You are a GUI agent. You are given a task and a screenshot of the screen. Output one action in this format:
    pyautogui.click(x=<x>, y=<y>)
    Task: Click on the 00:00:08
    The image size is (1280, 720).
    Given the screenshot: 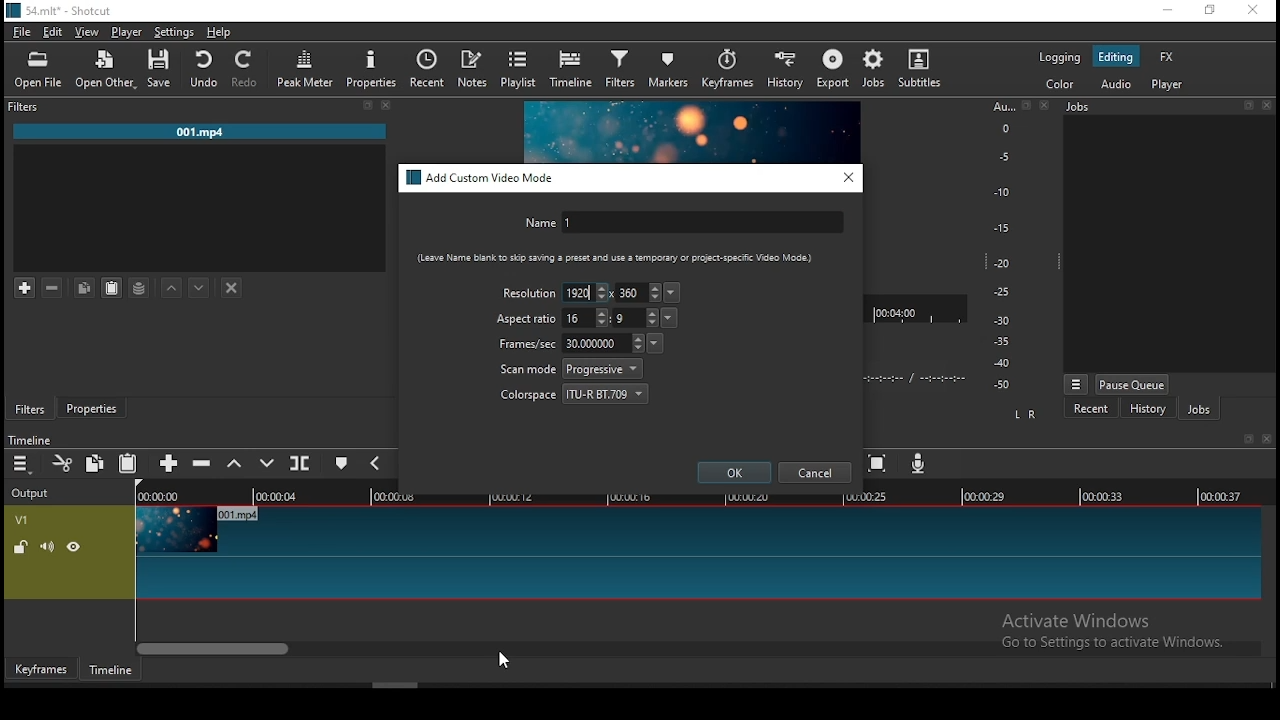 What is the action you would take?
    pyautogui.click(x=402, y=497)
    